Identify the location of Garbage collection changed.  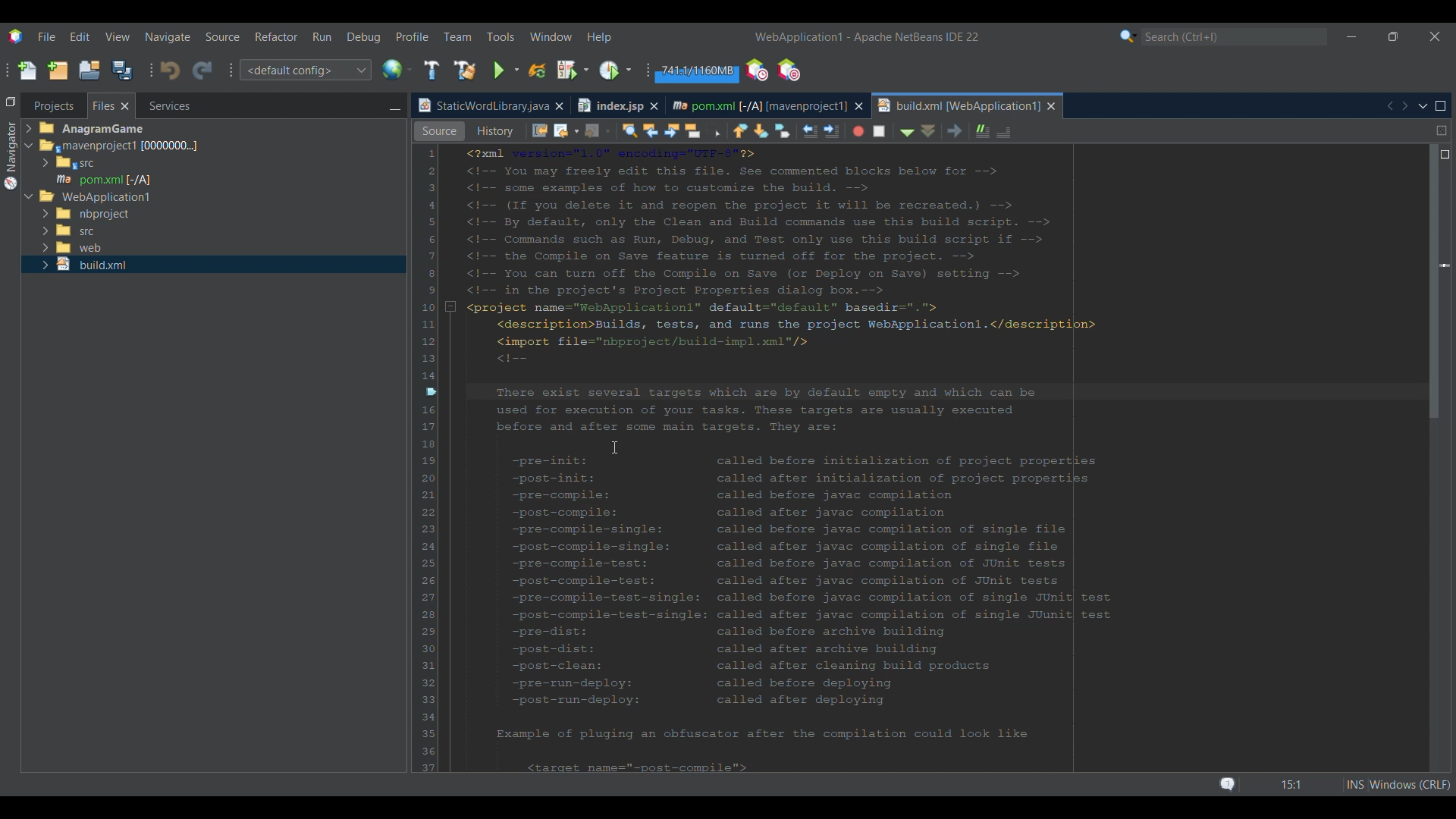
(696, 73).